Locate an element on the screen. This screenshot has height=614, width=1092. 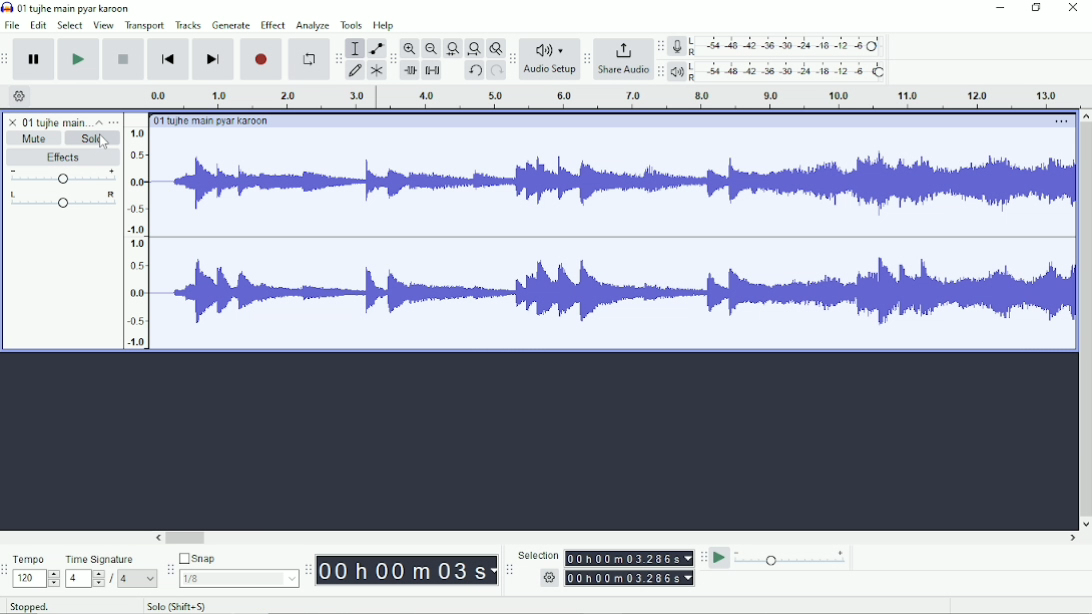
Tempo is located at coordinates (37, 560).